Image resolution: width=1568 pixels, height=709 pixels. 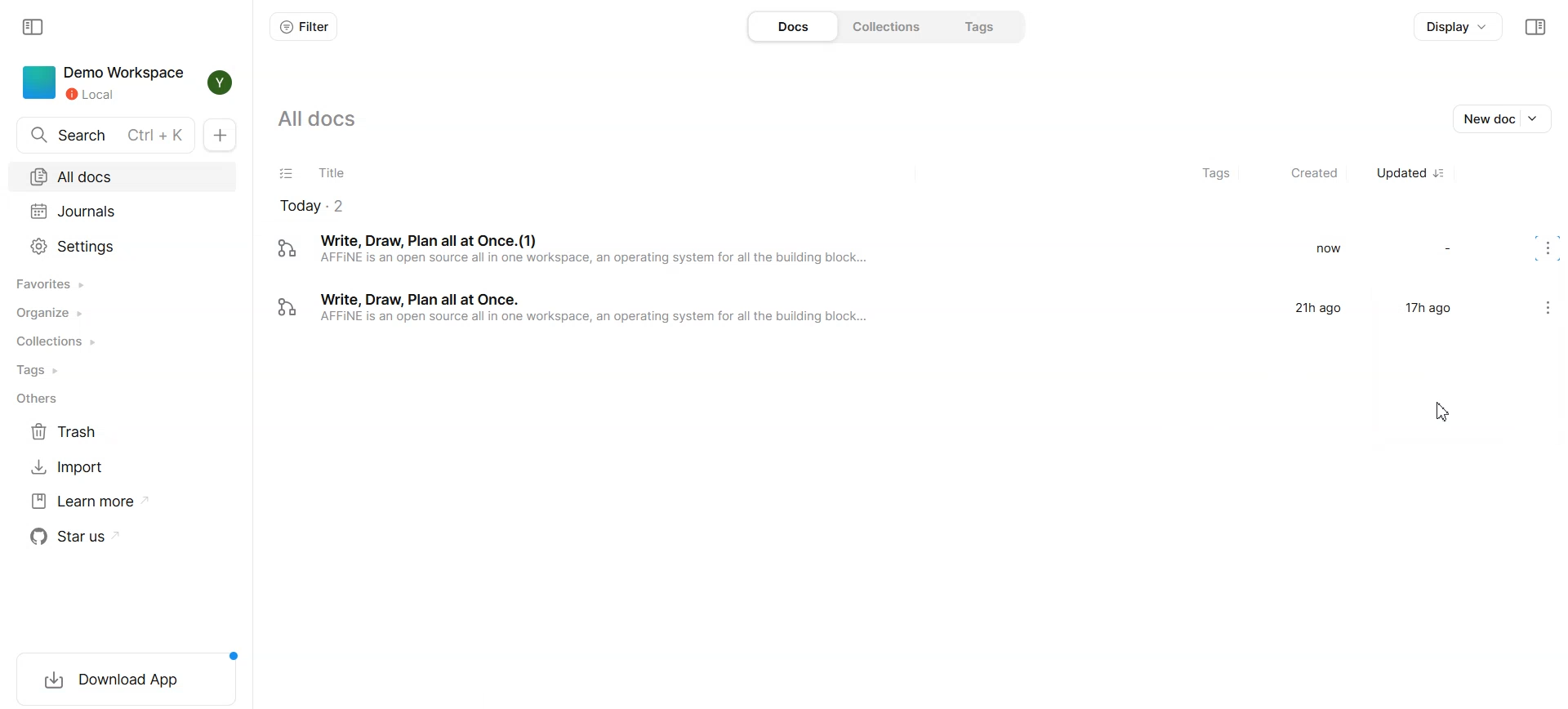 What do you see at coordinates (871, 310) in the screenshot?
I see `Write, Draw, Plan all at Once. 21h ago 17h ago
AFFINE is an open source all in one workspace, an operating system for all the building block. a9 9` at bounding box center [871, 310].